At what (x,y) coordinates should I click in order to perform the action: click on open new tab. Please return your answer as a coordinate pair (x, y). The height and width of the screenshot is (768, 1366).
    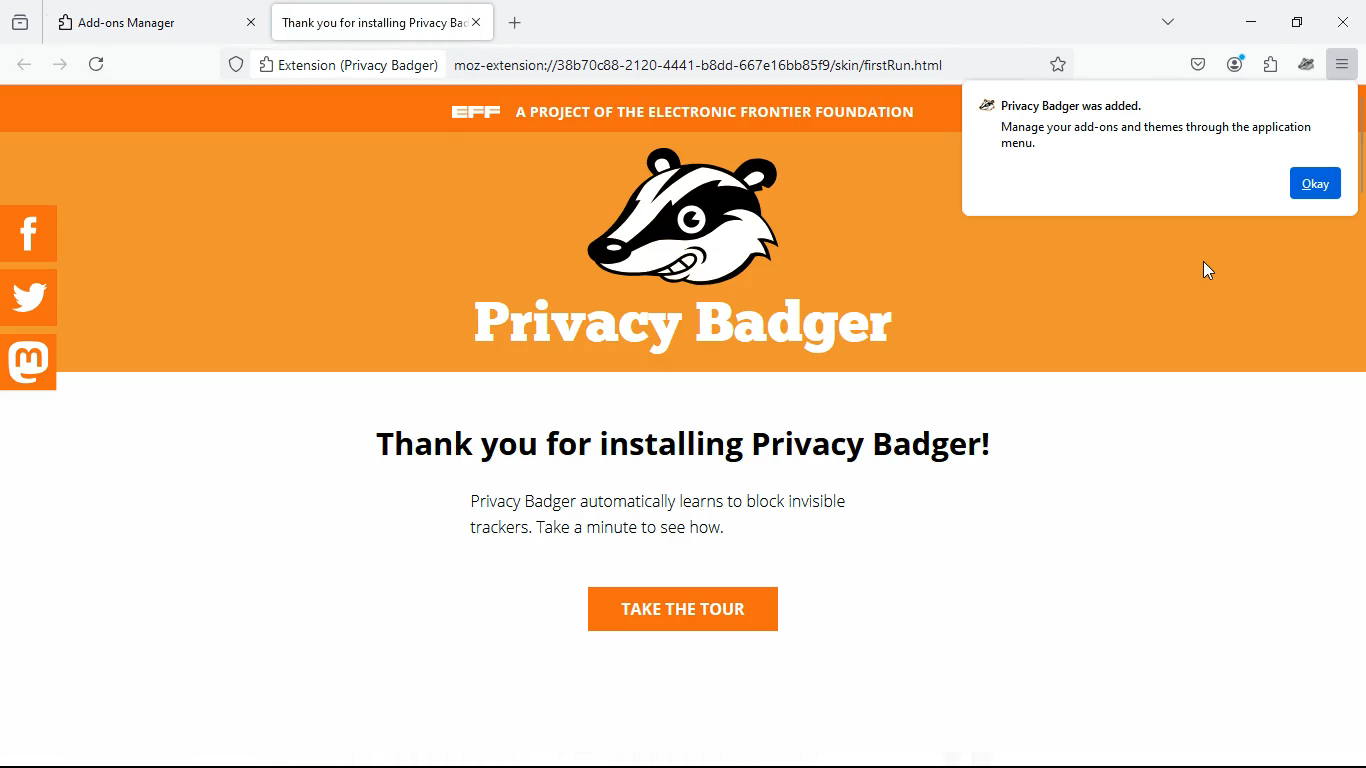
    Looking at the image, I should click on (511, 22).